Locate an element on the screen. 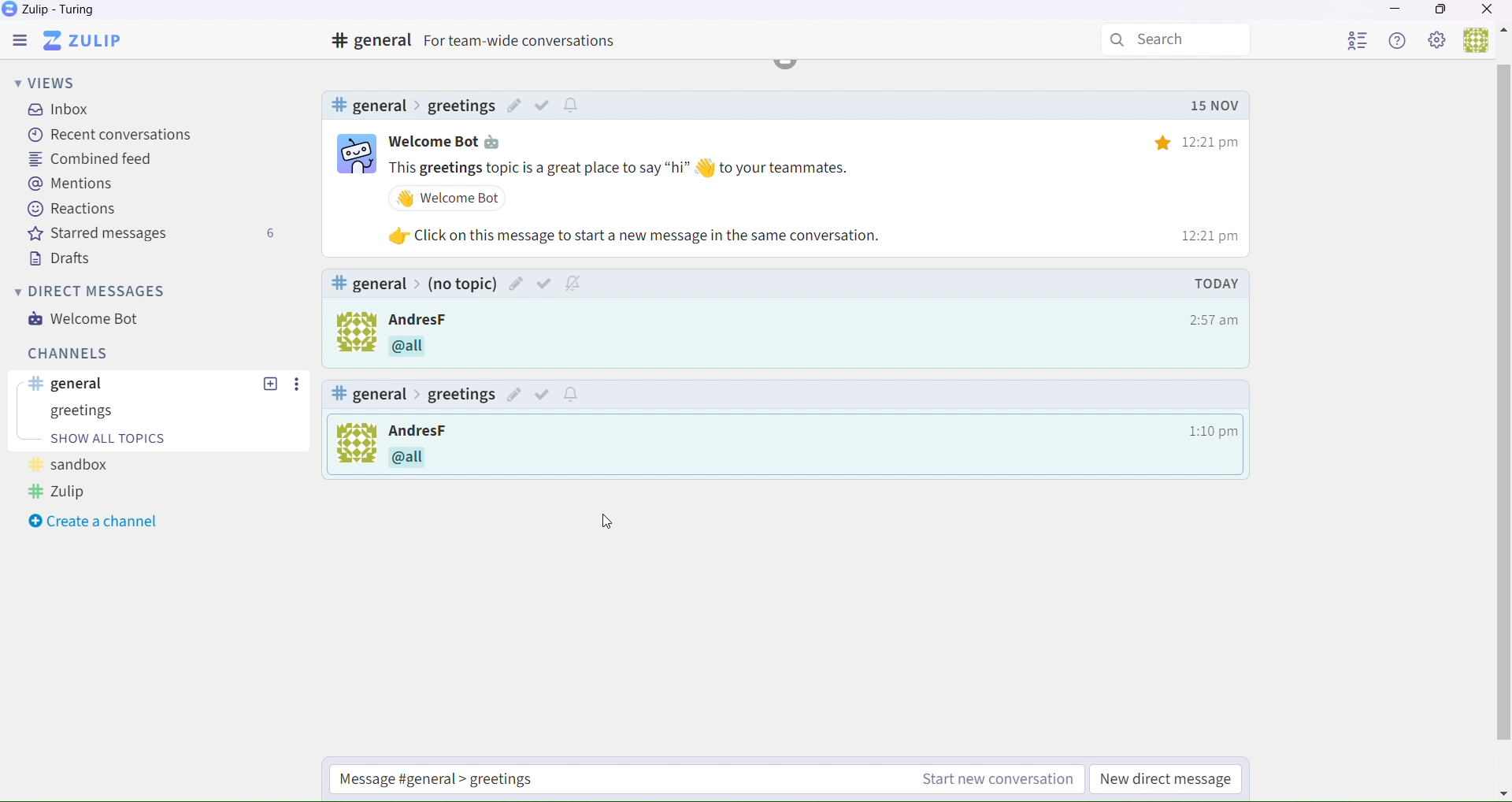  Start a new conversation is located at coordinates (548, 780).